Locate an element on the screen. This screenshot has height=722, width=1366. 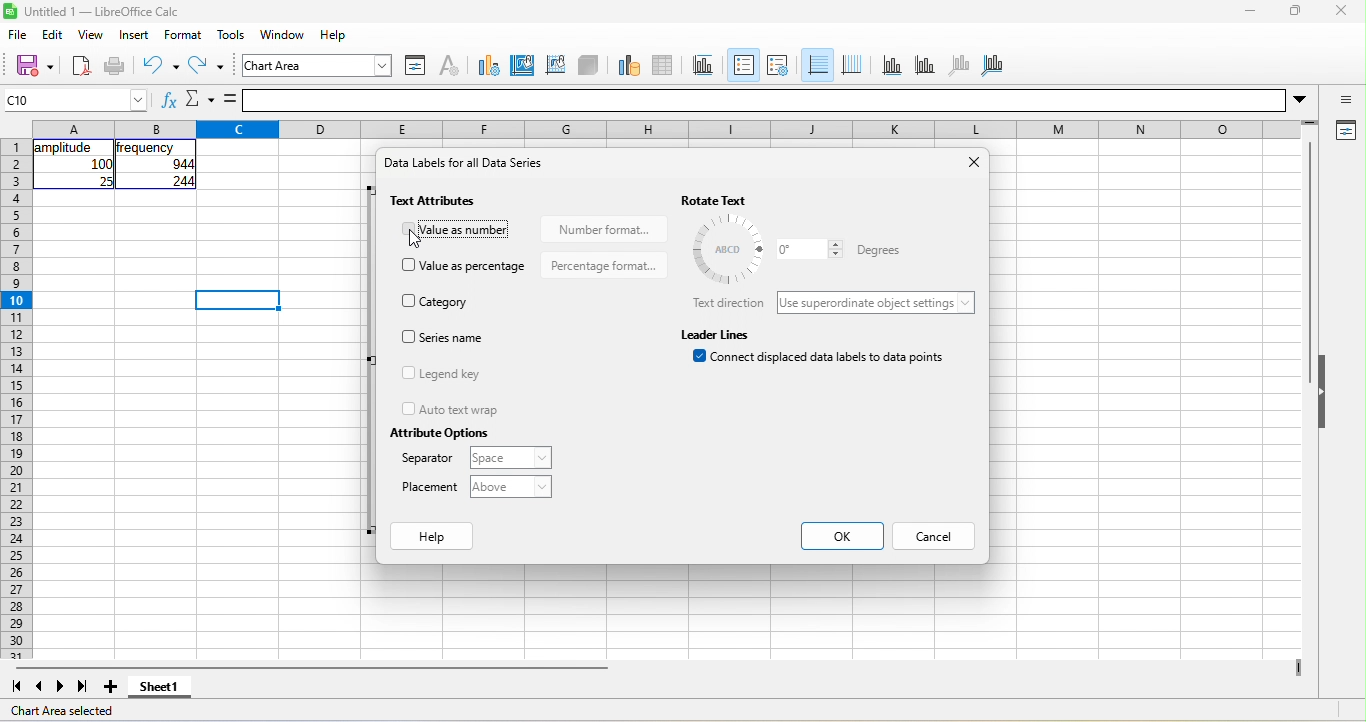
previous sheet is located at coordinates (35, 687).